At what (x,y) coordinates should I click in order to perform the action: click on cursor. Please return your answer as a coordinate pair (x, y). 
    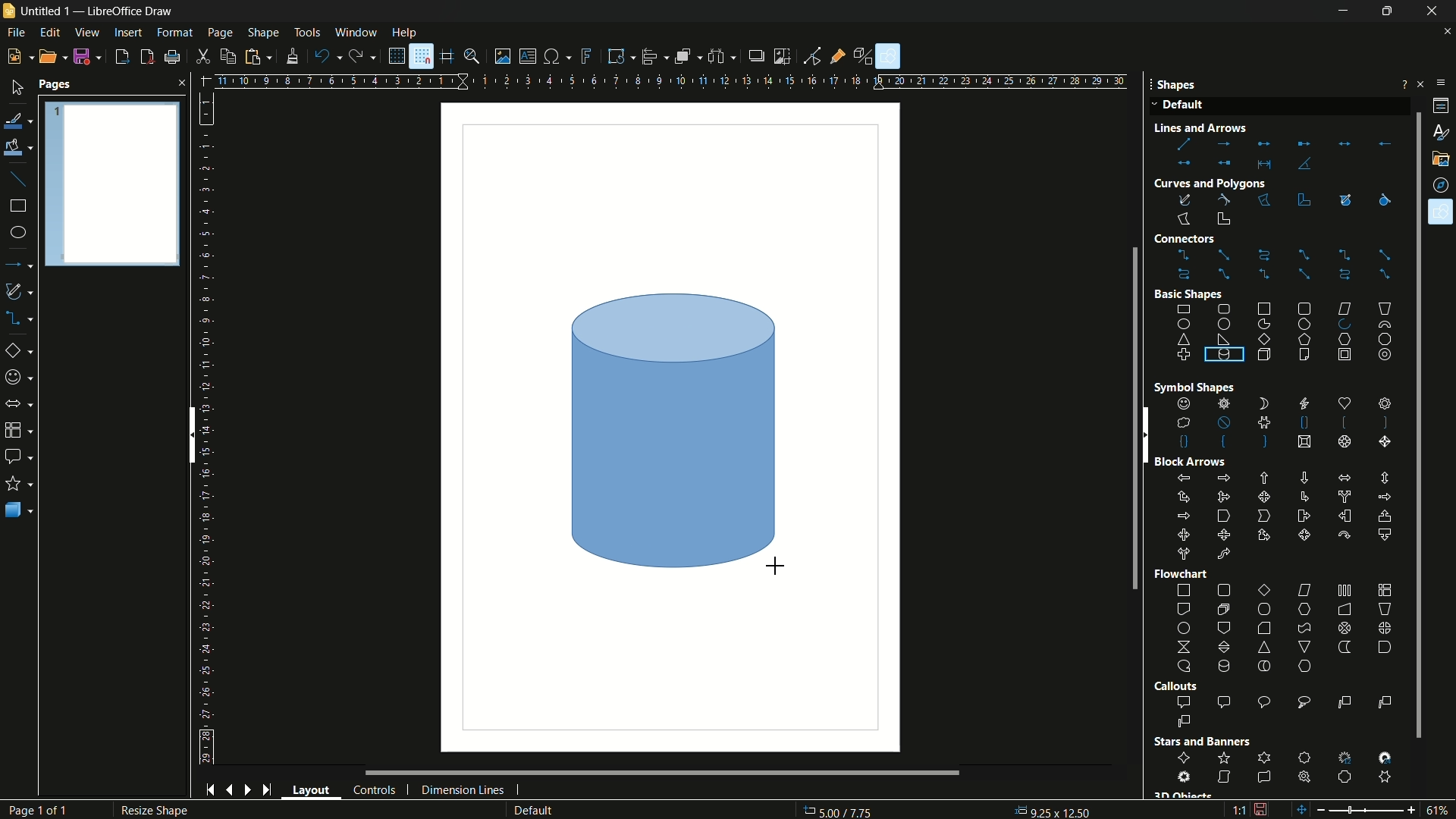
    Looking at the image, I should click on (575, 296).